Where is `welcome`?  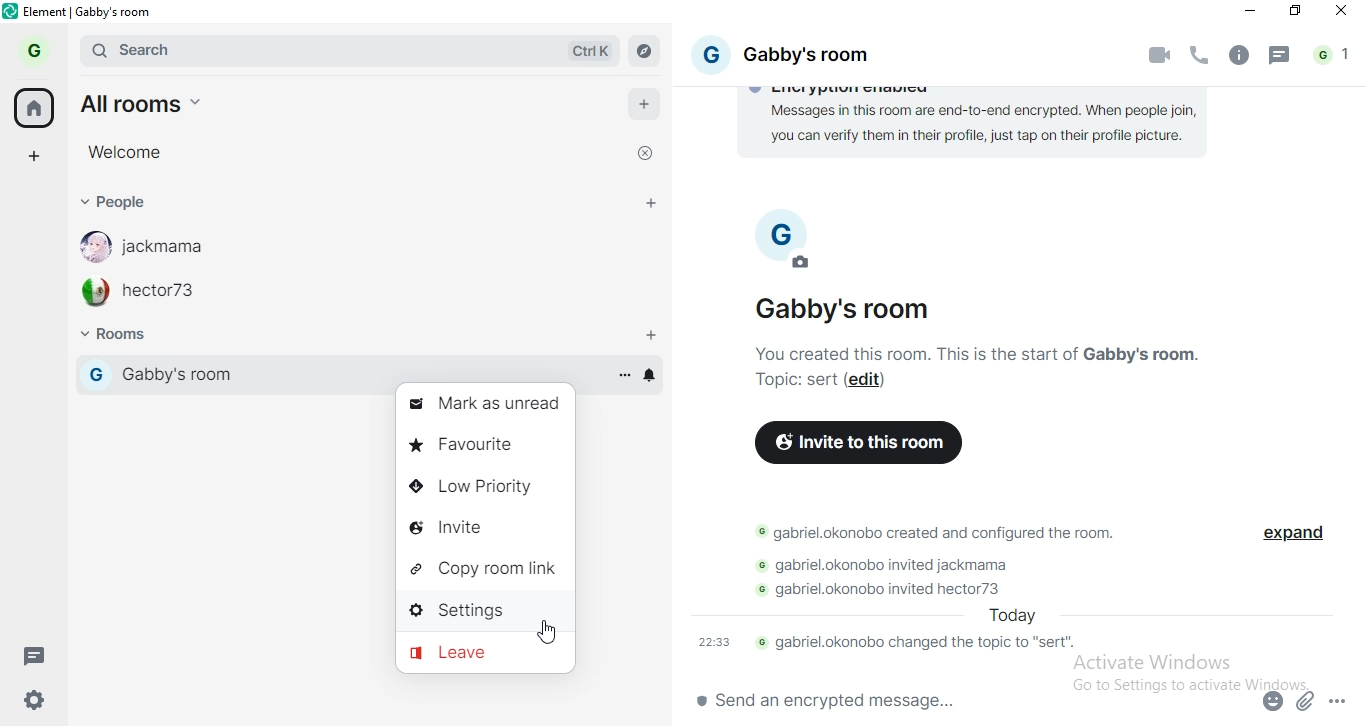 welcome is located at coordinates (123, 151).